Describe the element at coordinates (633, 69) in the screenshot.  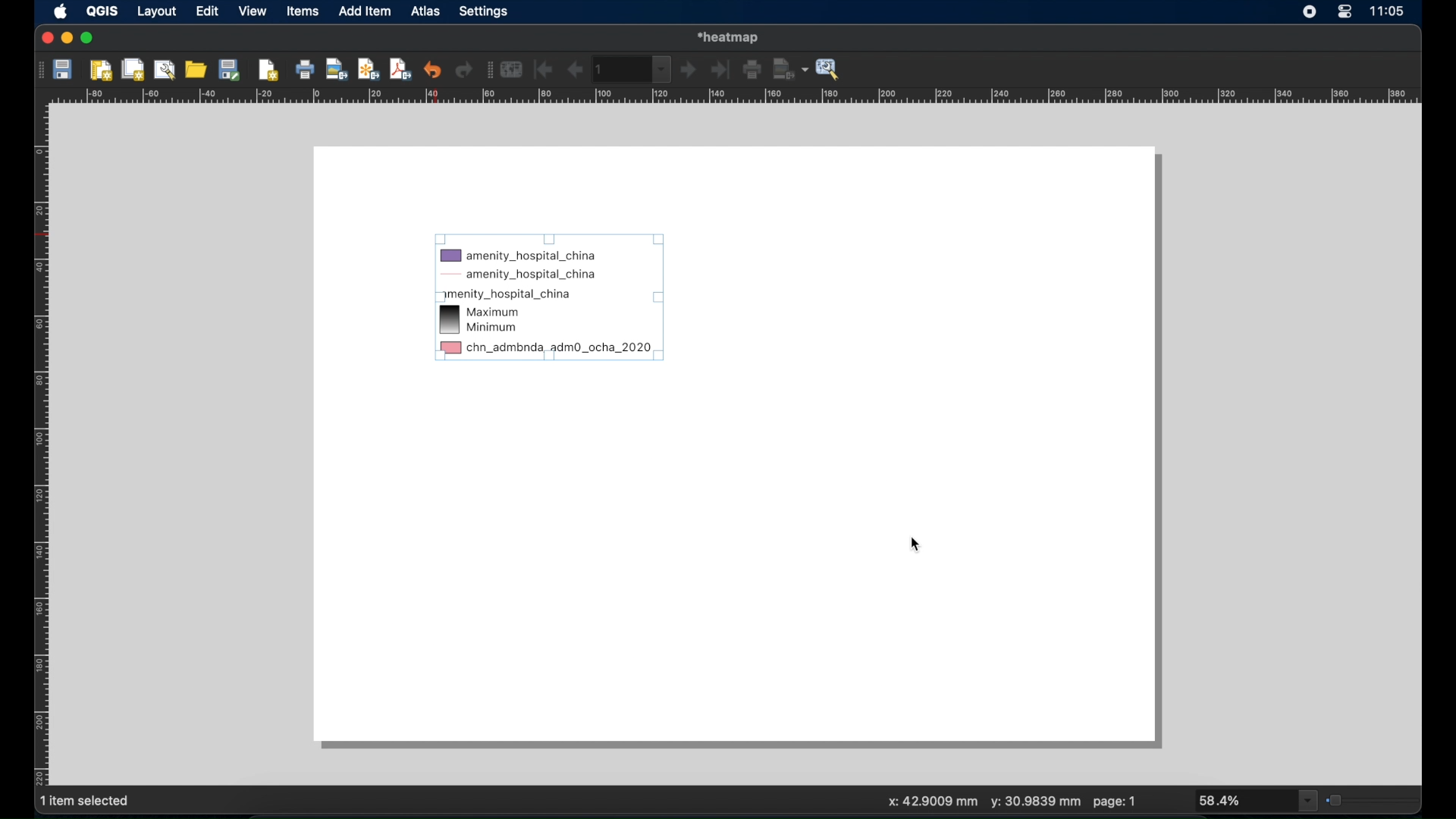
I see `atlas toolbar` at that location.